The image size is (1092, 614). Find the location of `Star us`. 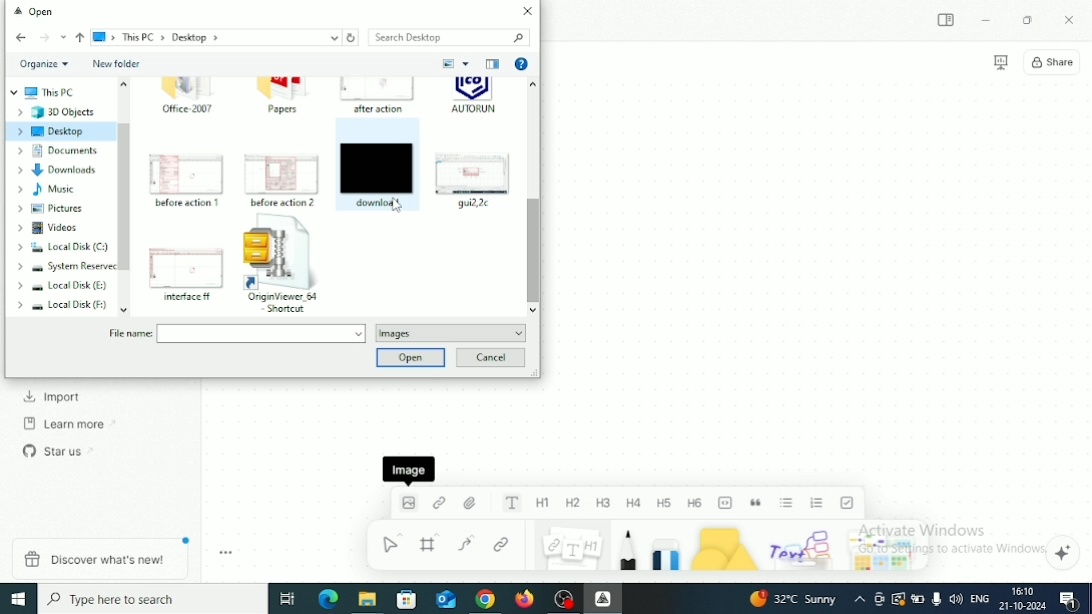

Star us is located at coordinates (57, 450).